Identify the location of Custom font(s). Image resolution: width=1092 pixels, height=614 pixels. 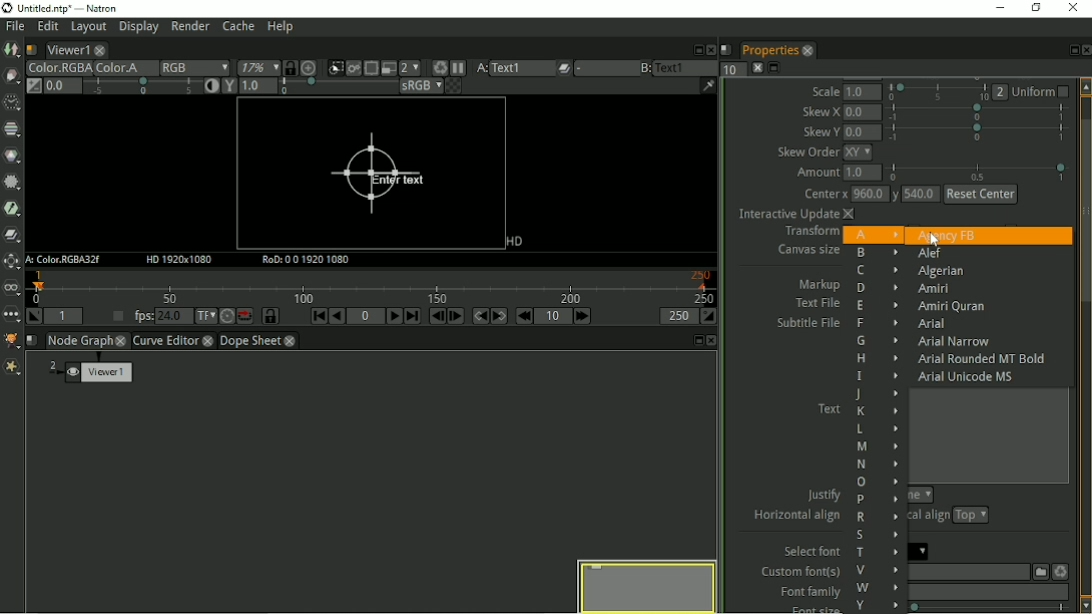
(798, 572).